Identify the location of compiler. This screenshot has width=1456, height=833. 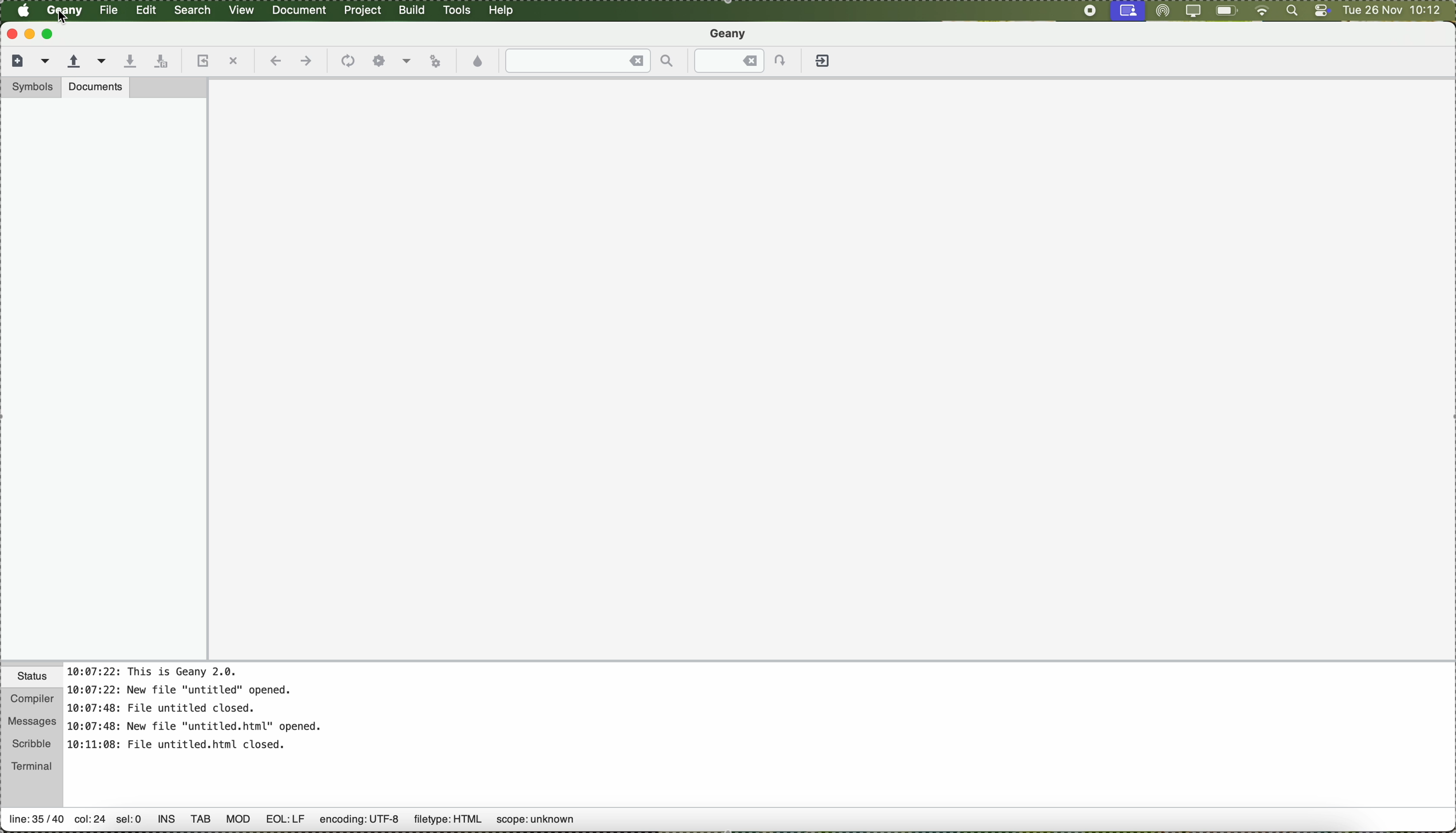
(31, 696).